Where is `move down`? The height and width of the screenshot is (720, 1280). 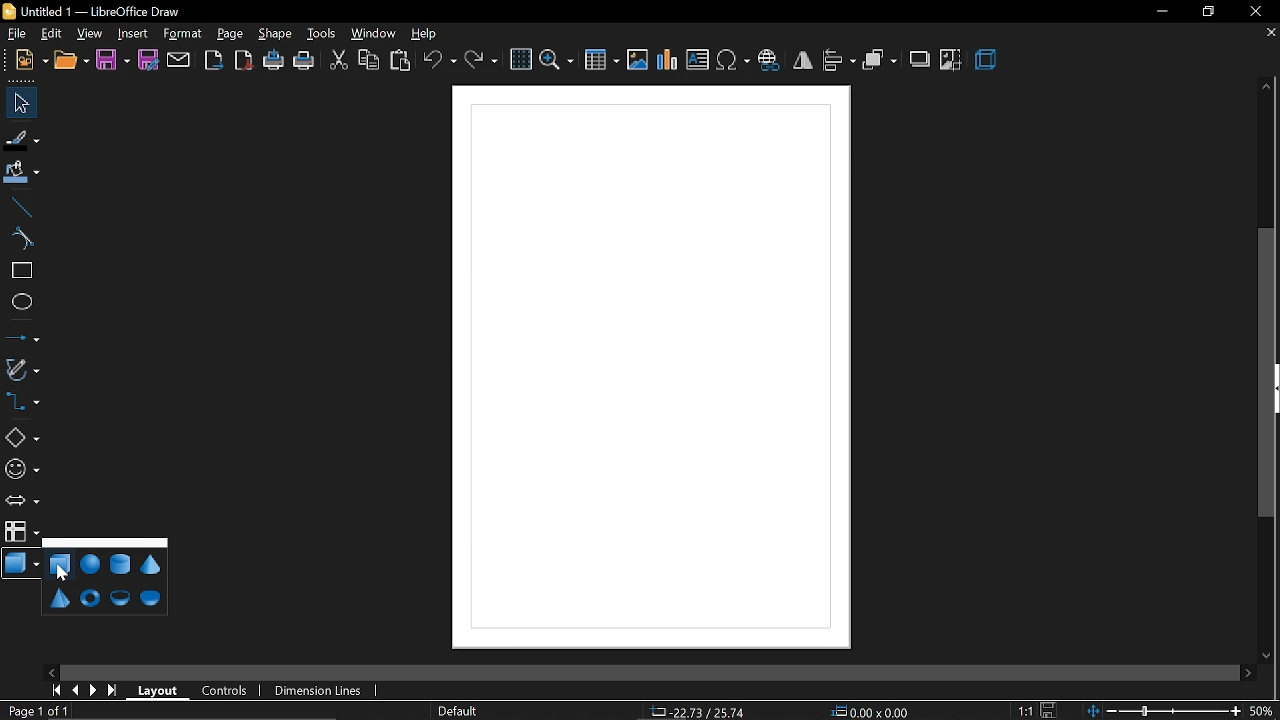
move down is located at coordinates (1266, 655).